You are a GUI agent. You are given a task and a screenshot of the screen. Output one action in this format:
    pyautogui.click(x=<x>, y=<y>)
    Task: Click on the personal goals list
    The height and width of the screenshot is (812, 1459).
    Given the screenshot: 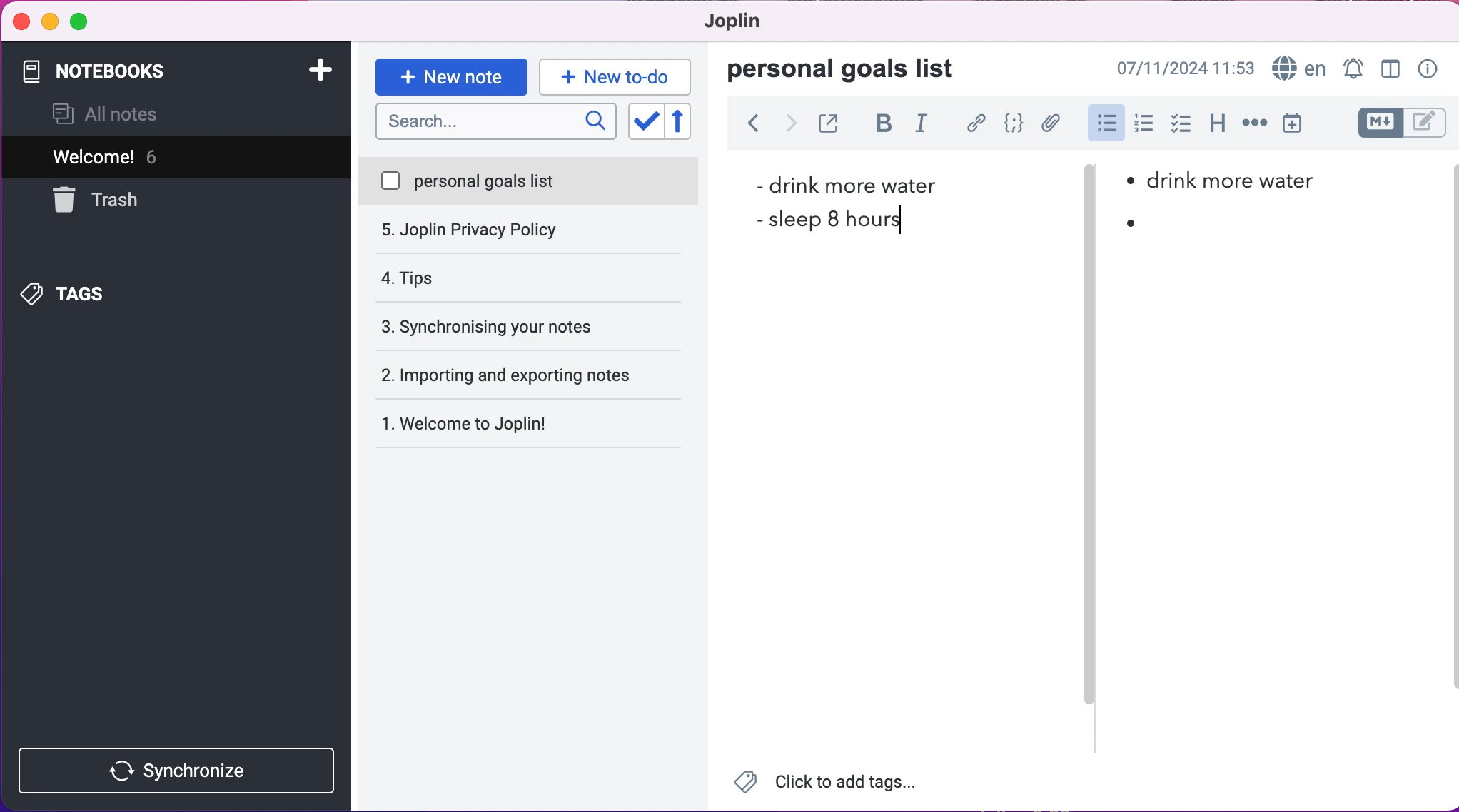 What is the action you would take?
    pyautogui.click(x=530, y=182)
    